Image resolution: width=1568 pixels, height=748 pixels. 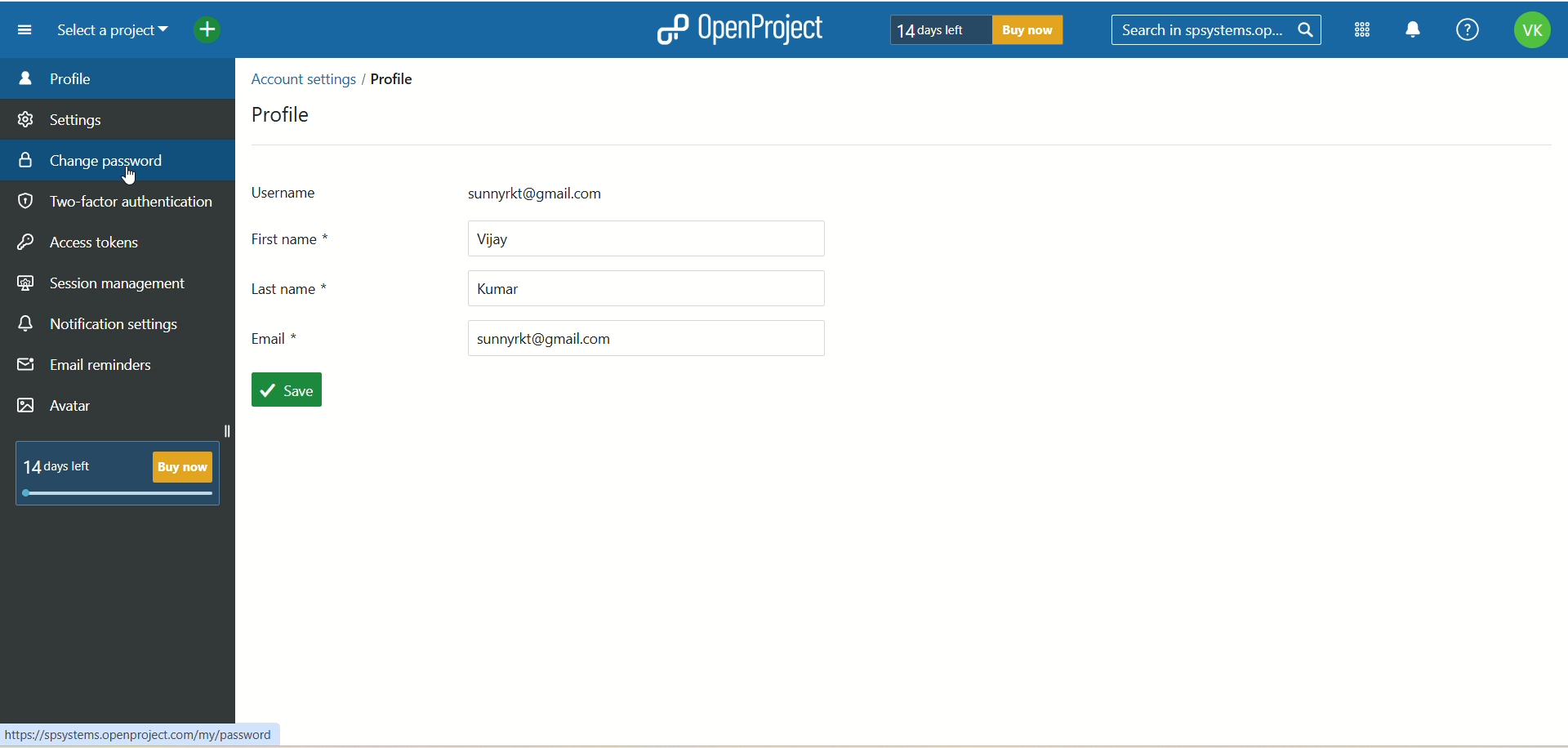 I want to click on select a project, so click(x=106, y=31).